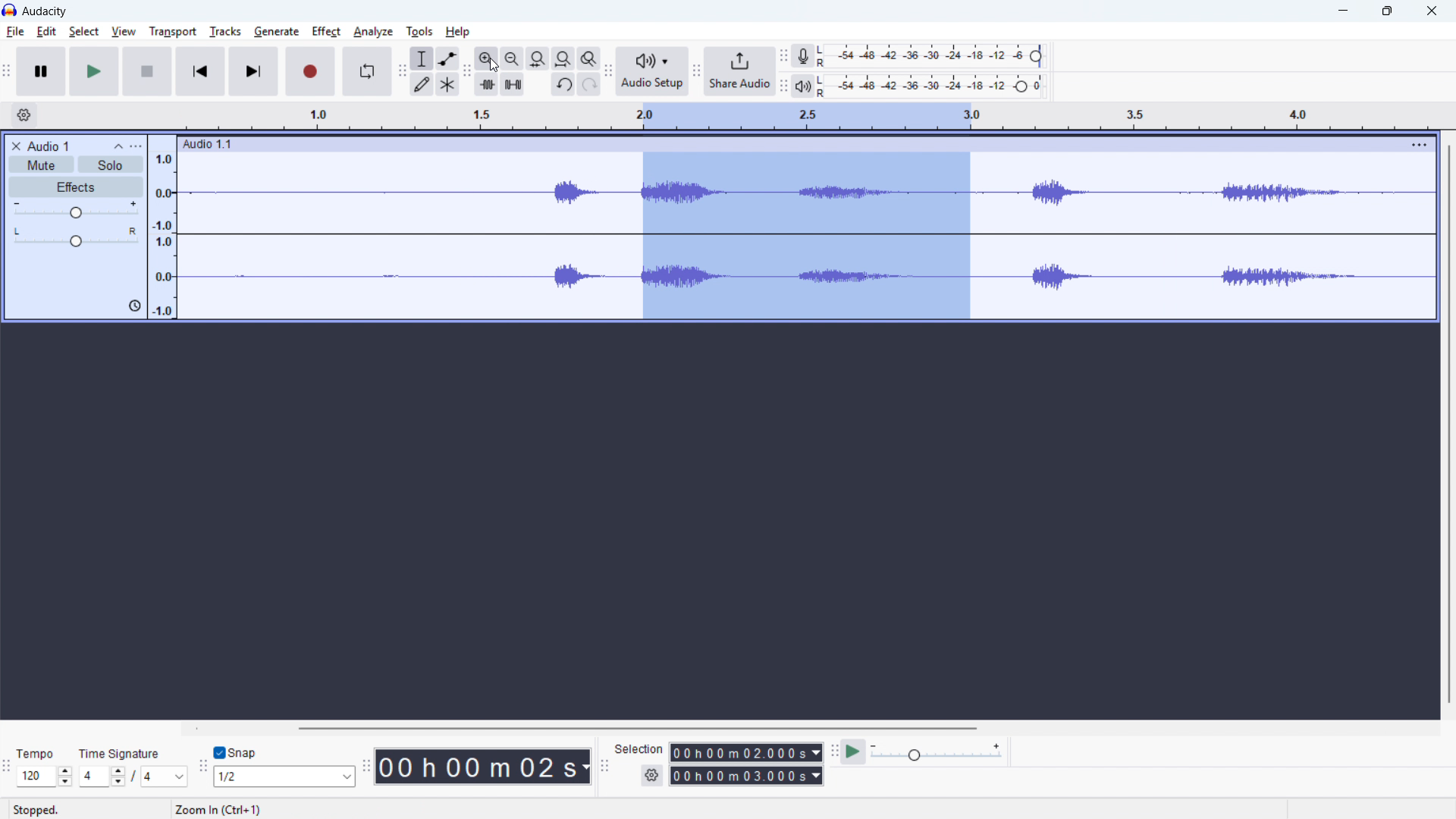 This screenshot has height=819, width=1456. I want to click on Horizontal scroll bar, so click(763, 728).